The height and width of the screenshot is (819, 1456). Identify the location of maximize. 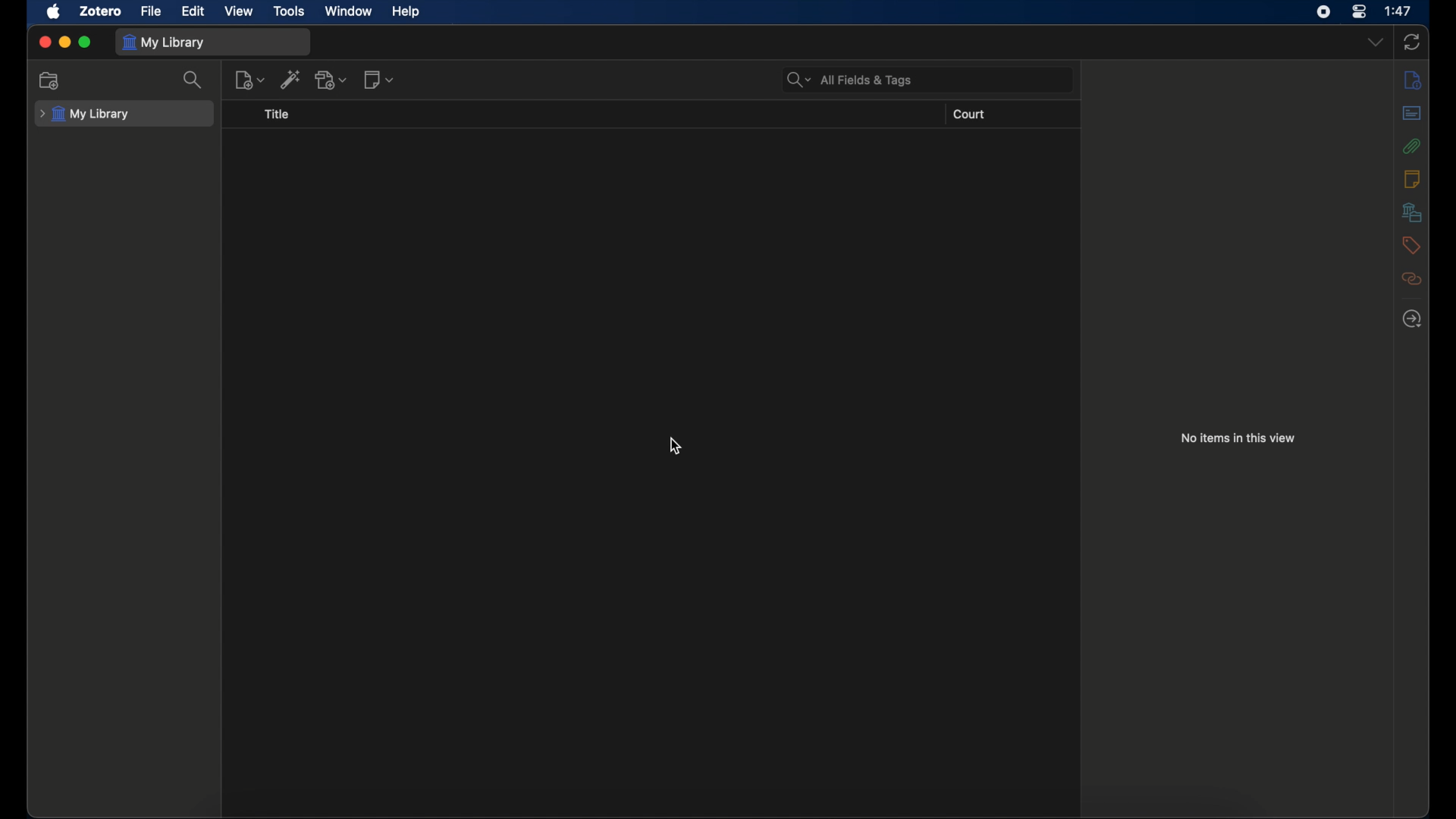
(86, 42).